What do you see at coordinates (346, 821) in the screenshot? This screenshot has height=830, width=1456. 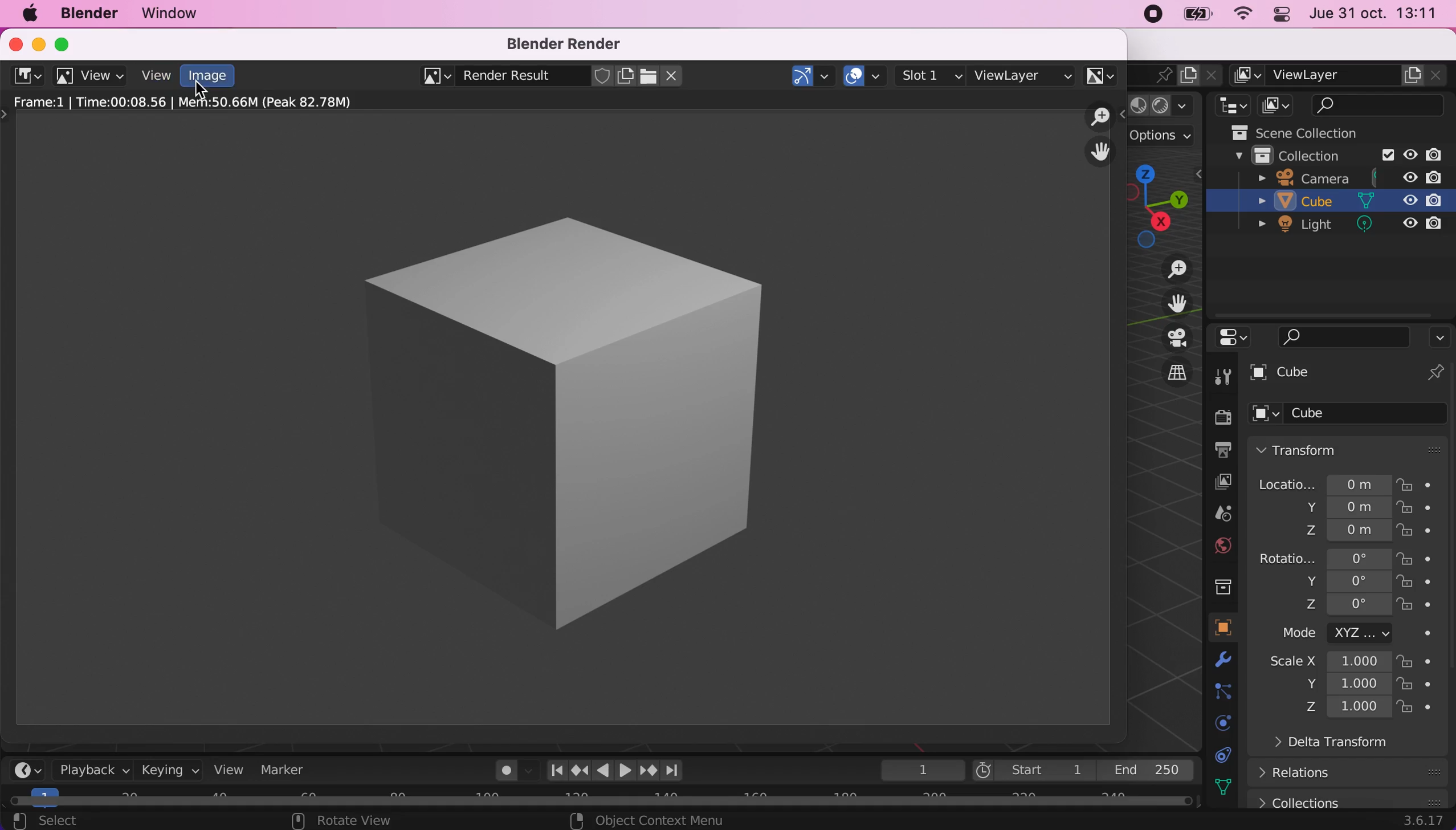 I see `rotate view` at bounding box center [346, 821].